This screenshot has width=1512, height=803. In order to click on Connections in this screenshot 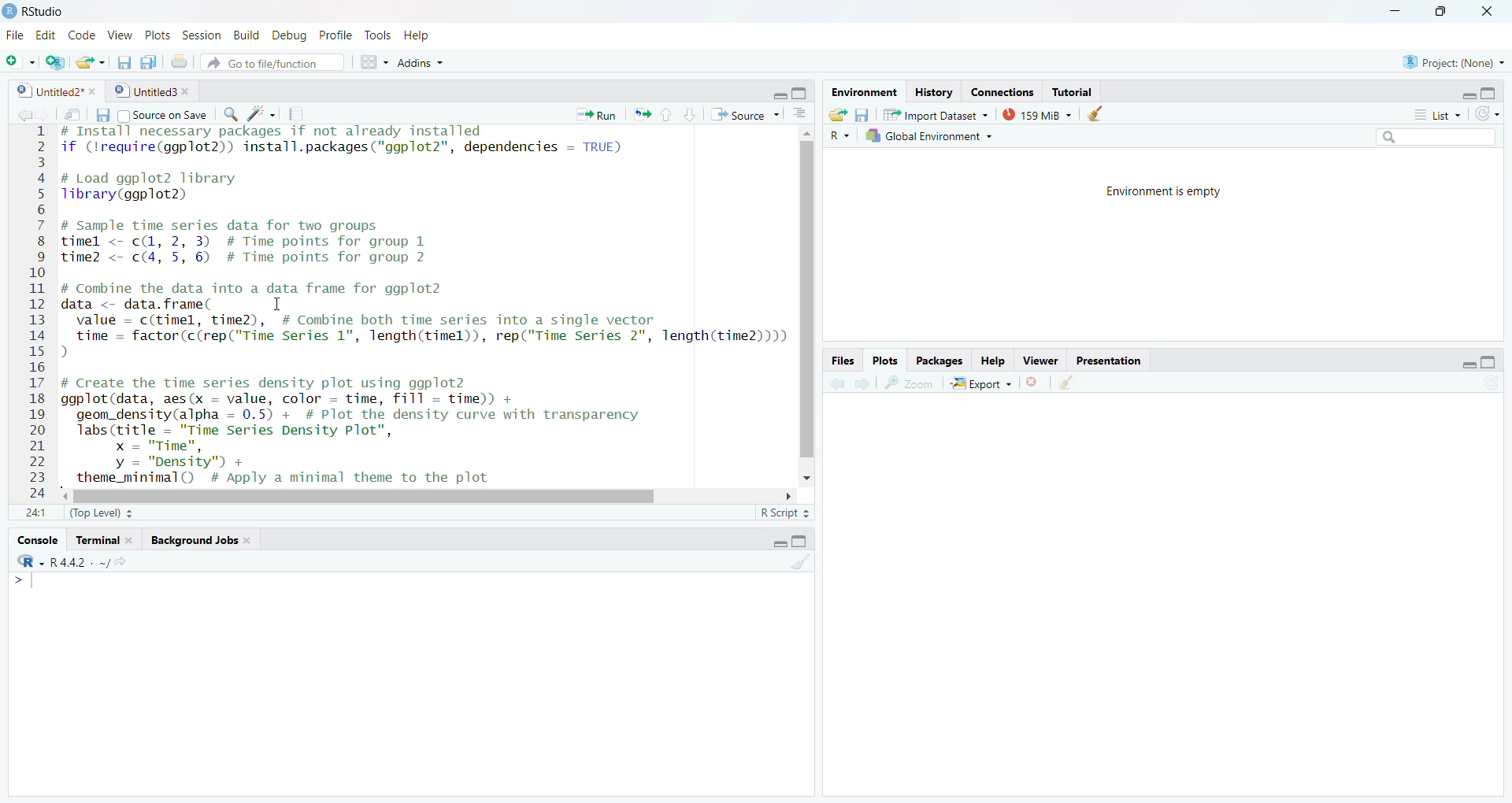, I will do `click(1002, 91)`.